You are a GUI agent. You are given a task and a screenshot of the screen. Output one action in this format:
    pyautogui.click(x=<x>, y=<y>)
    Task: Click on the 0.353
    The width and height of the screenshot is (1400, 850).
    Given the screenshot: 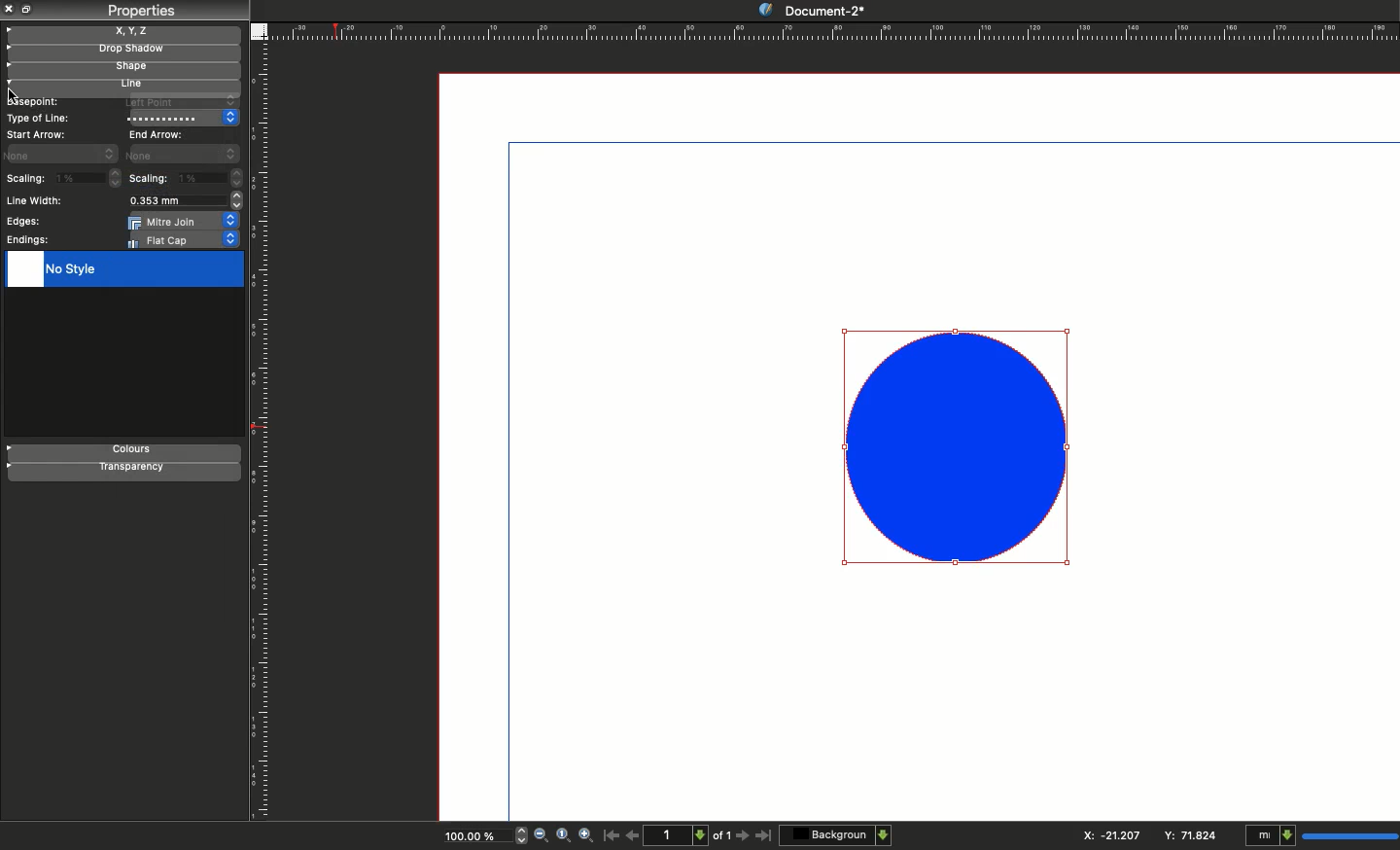 What is the action you would take?
    pyautogui.click(x=183, y=201)
    